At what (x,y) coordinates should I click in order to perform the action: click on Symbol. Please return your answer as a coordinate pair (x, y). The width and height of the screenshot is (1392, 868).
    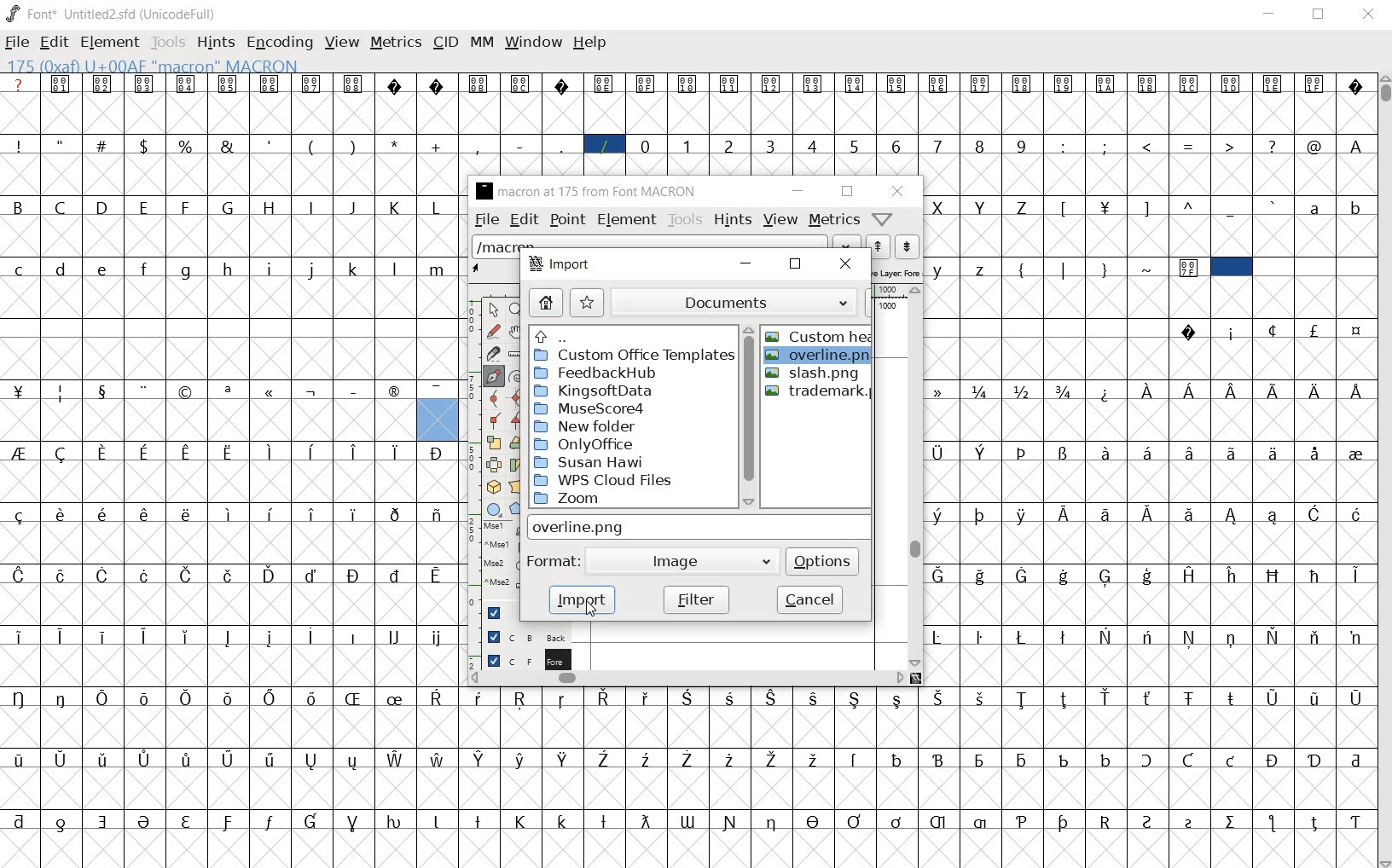
    Looking at the image, I should click on (1064, 512).